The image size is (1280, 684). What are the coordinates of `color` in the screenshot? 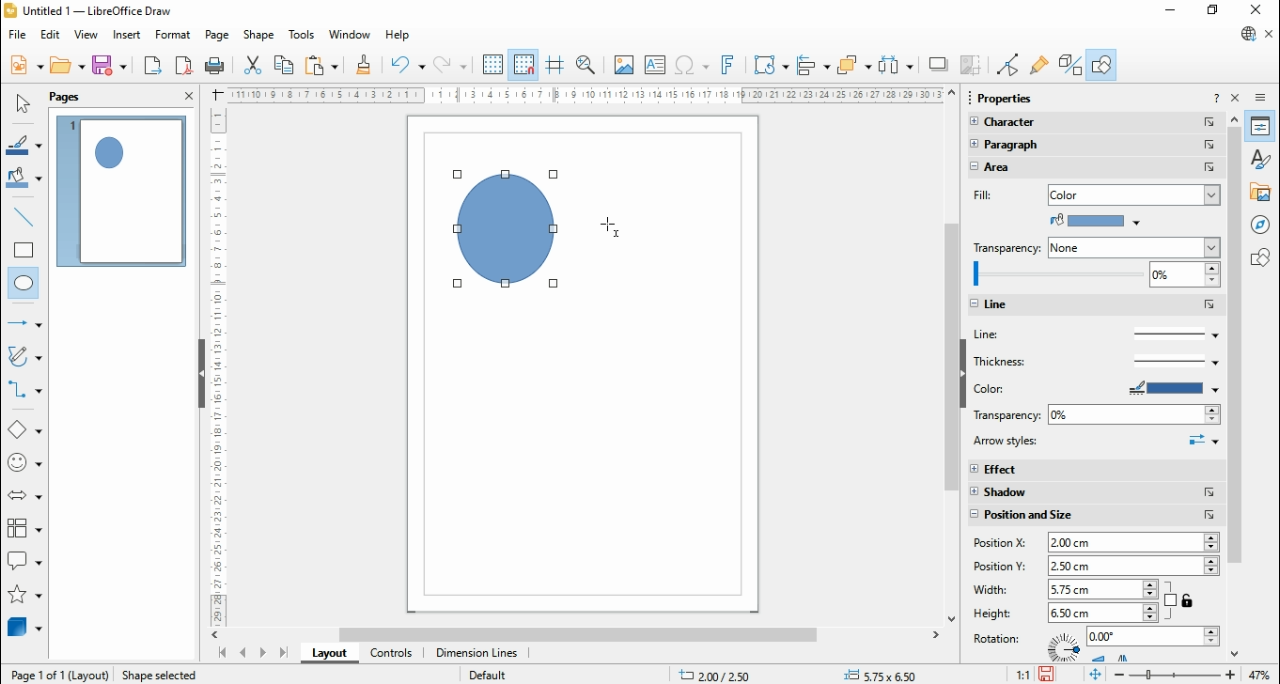 It's located at (1134, 193).